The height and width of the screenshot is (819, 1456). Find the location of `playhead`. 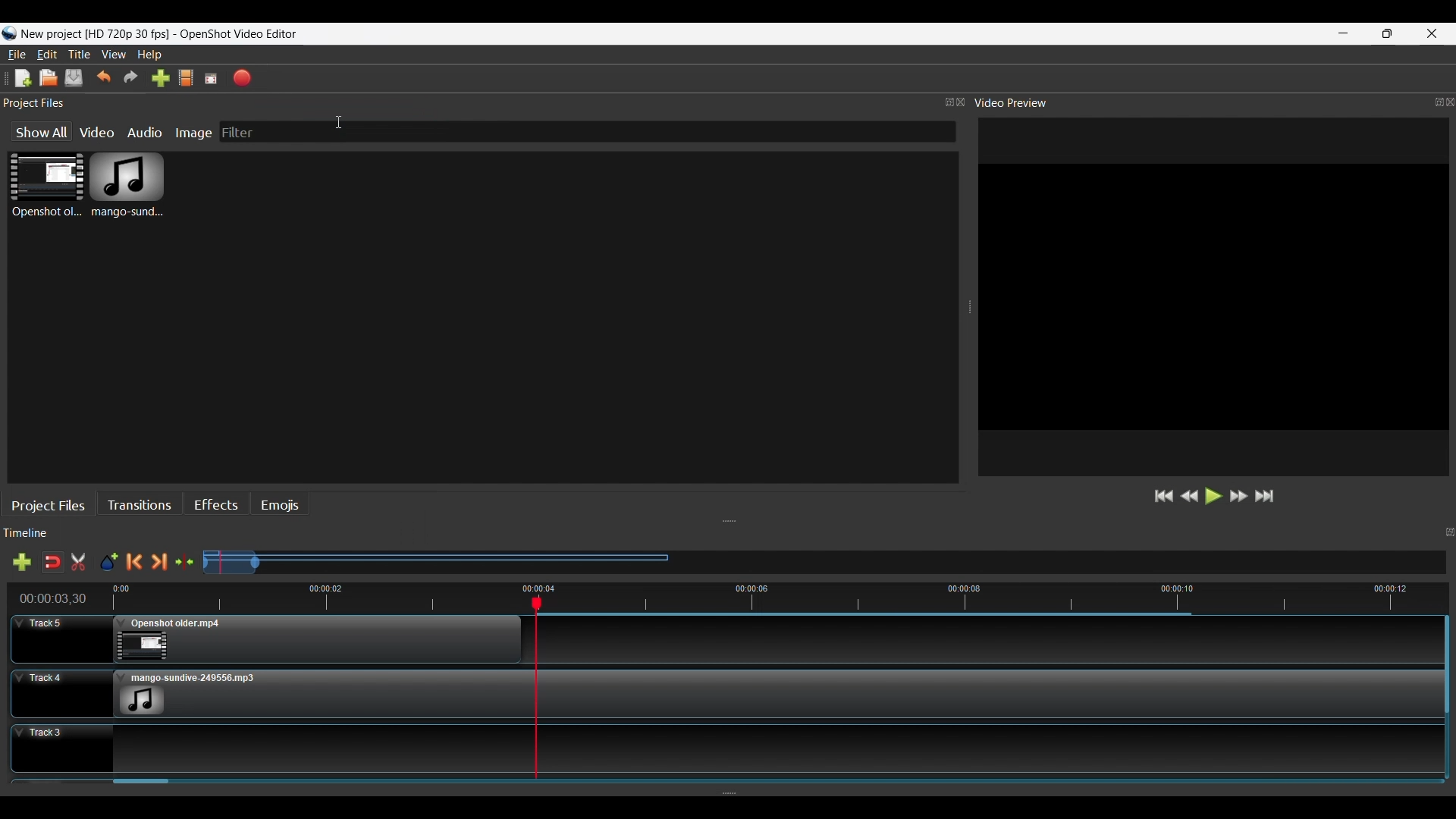

playhead is located at coordinates (535, 699).